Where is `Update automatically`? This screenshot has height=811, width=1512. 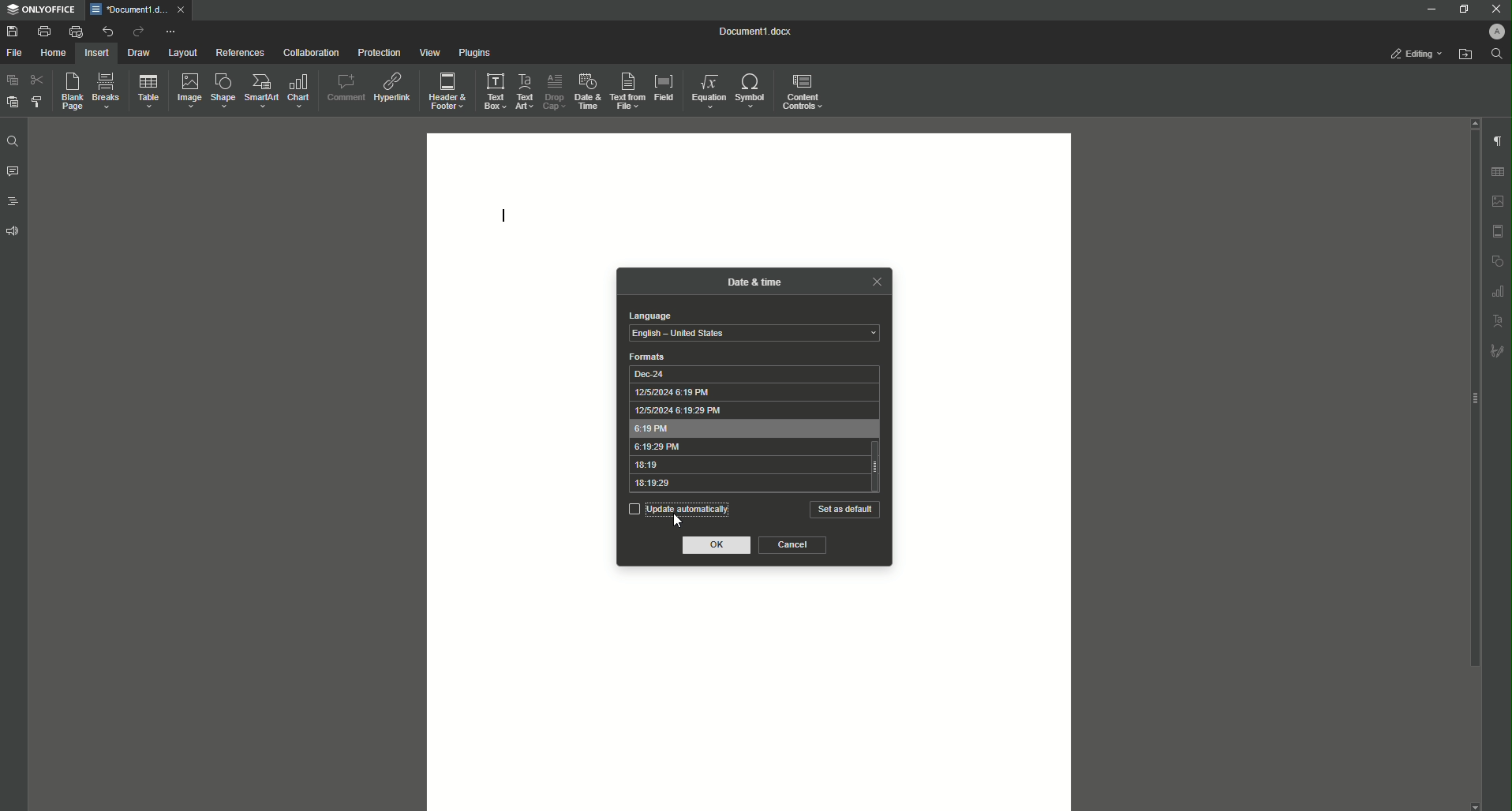 Update automatically is located at coordinates (678, 508).